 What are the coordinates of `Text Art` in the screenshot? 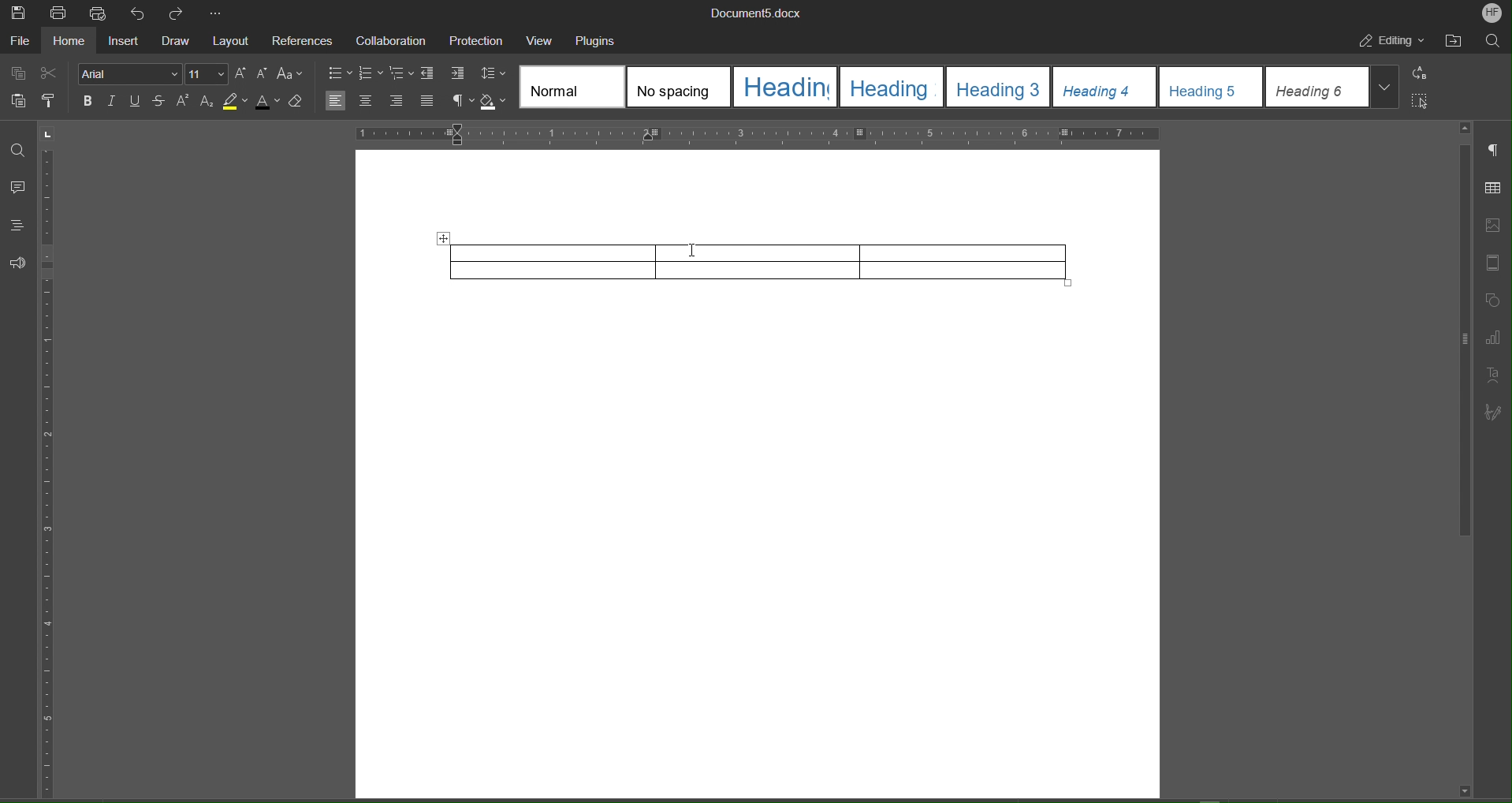 It's located at (1496, 373).